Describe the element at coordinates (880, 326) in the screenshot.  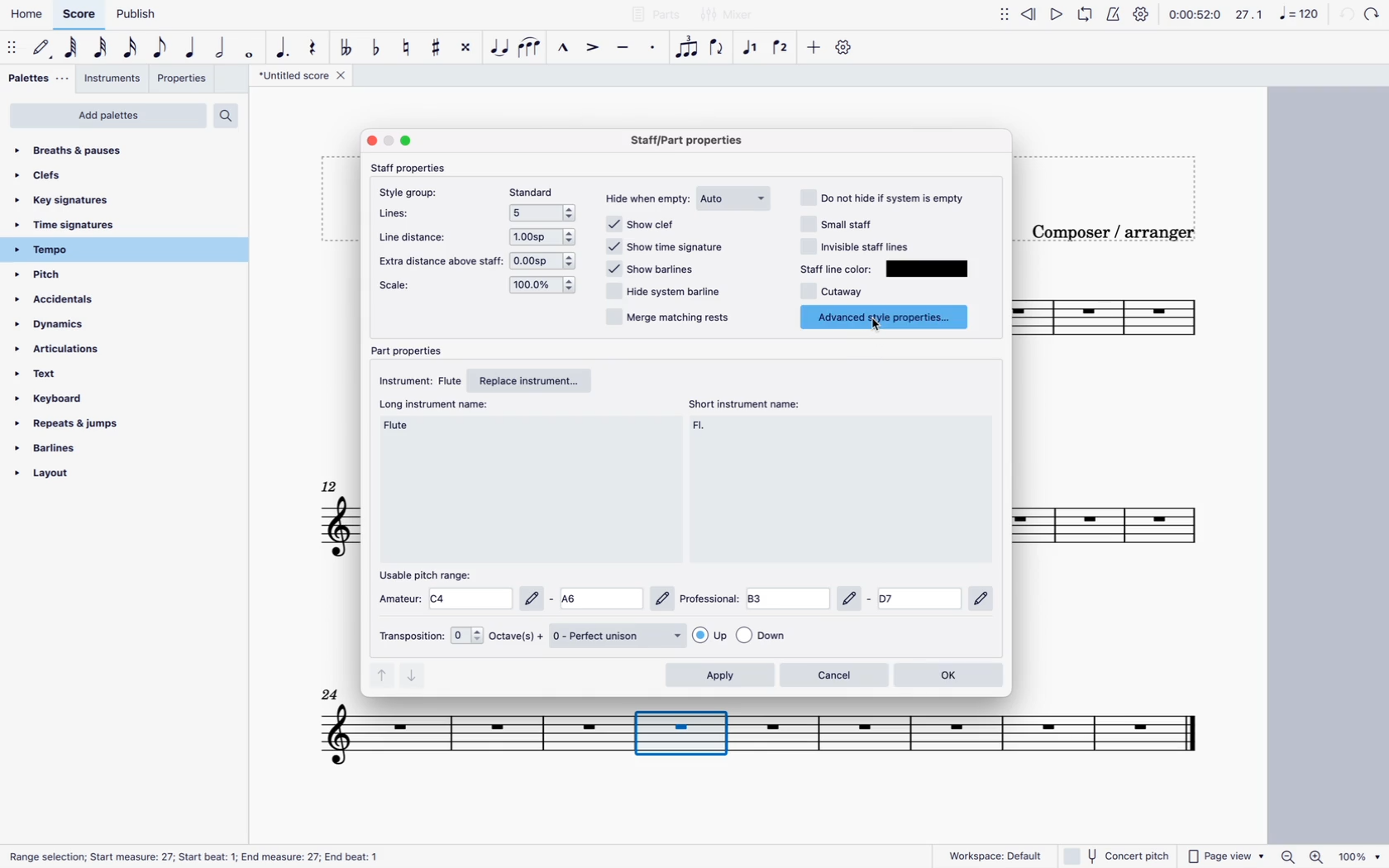
I see `cursor on advanced style properties` at that location.